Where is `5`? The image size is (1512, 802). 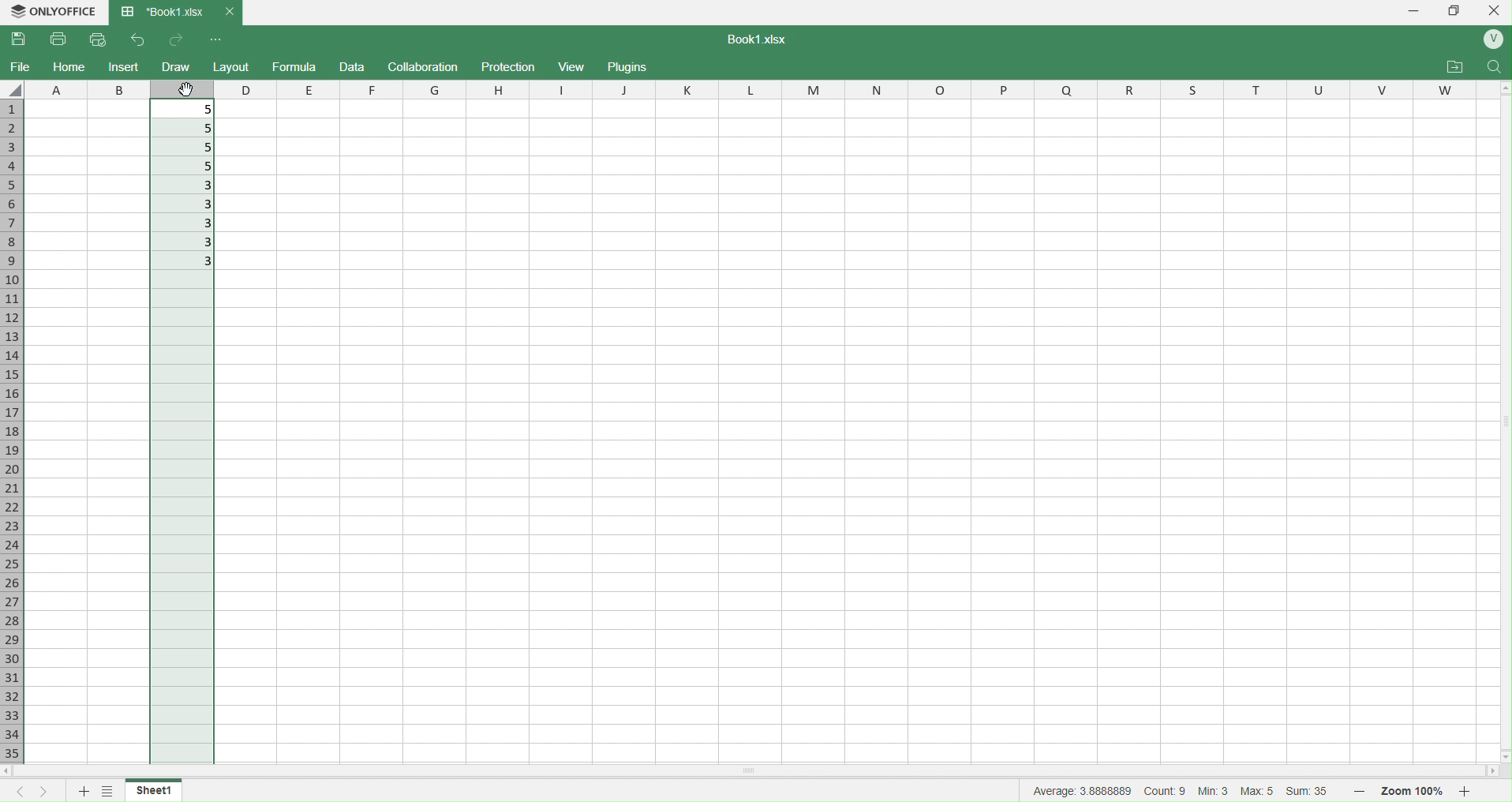
5 is located at coordinates (190, 108).